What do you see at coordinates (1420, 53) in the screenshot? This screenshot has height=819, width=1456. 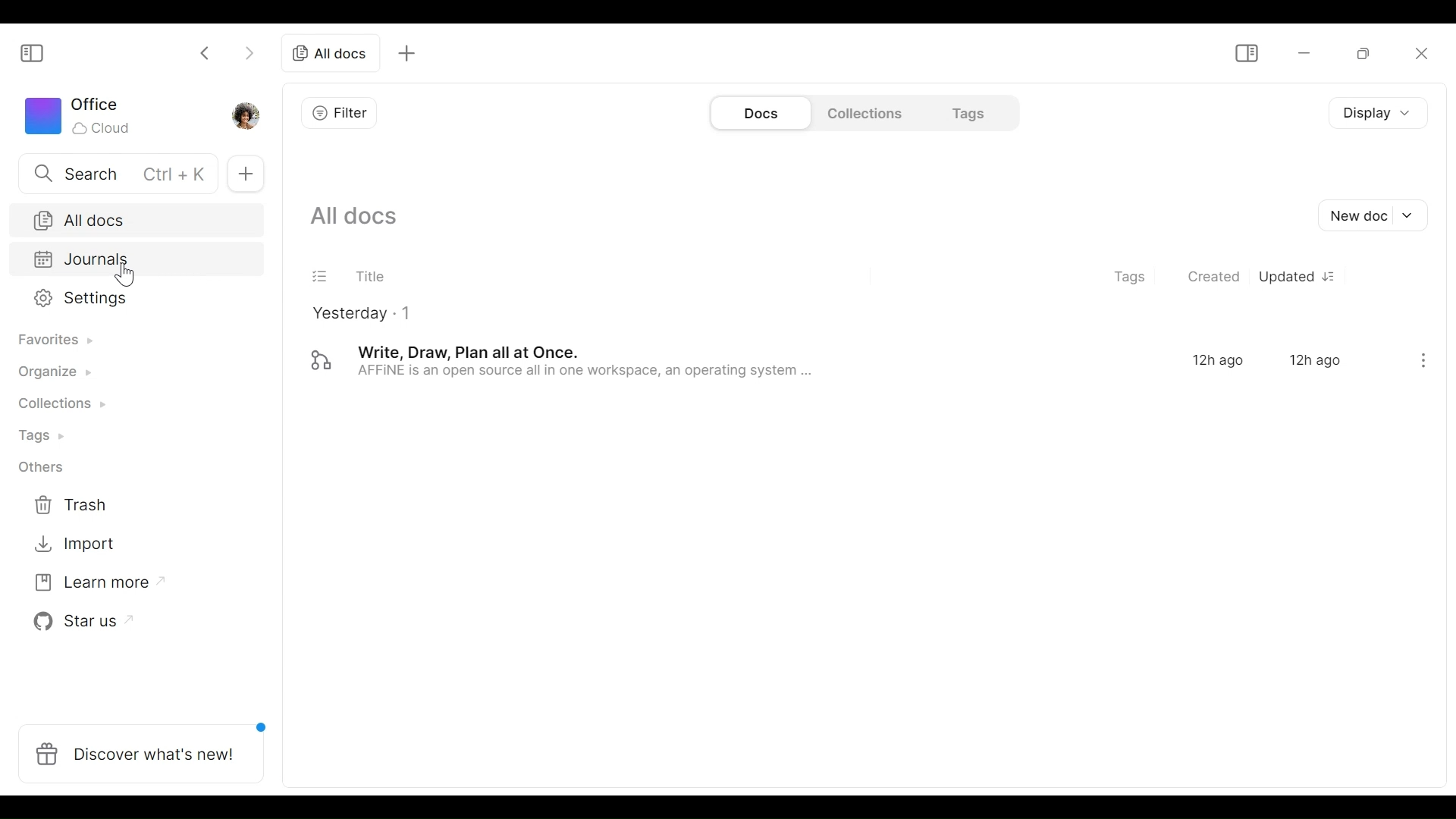 I see `Close` at bounding box center [1420, 53].